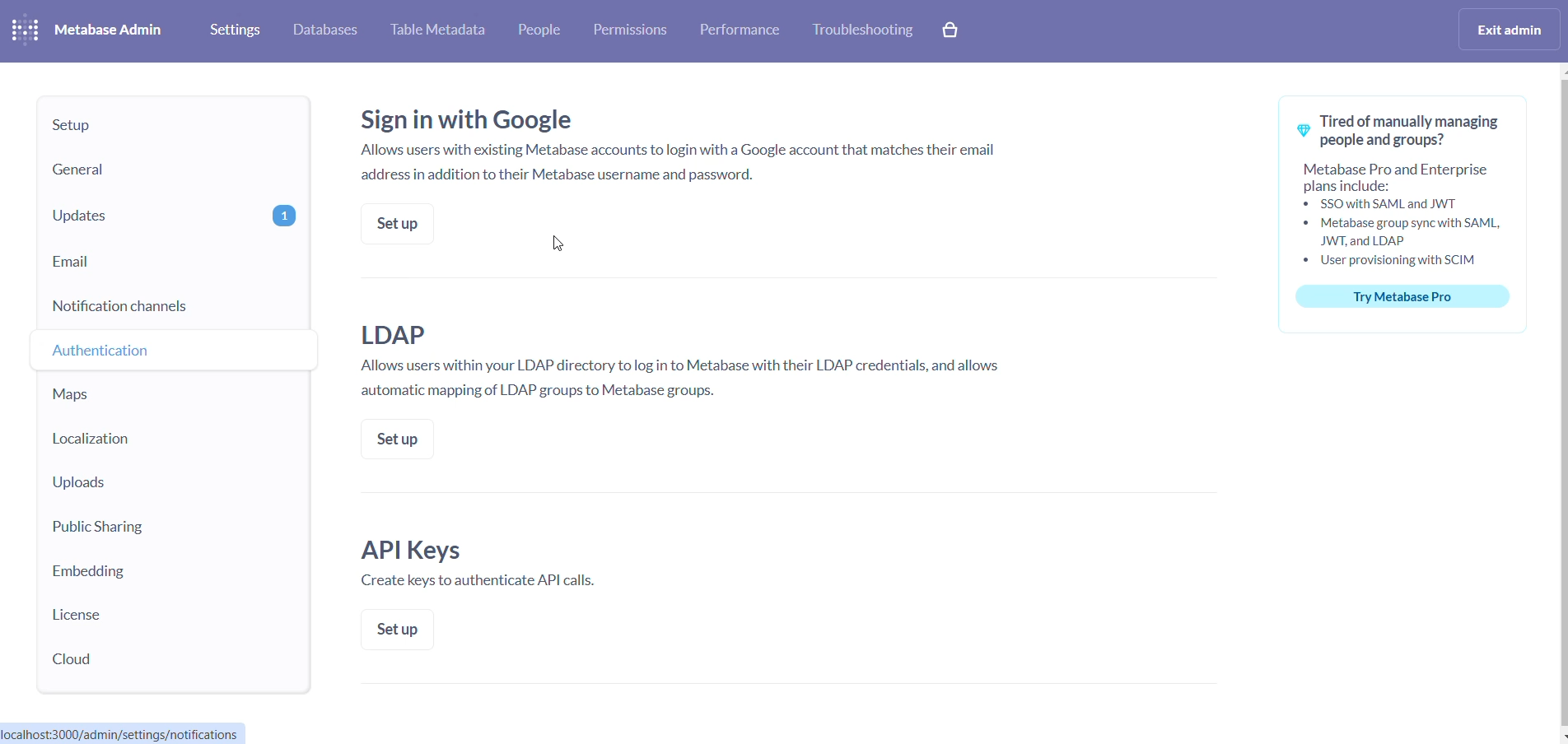 The width and height of the screenshot is (1568, 744). I want to click on cursor, so click(91, 356).